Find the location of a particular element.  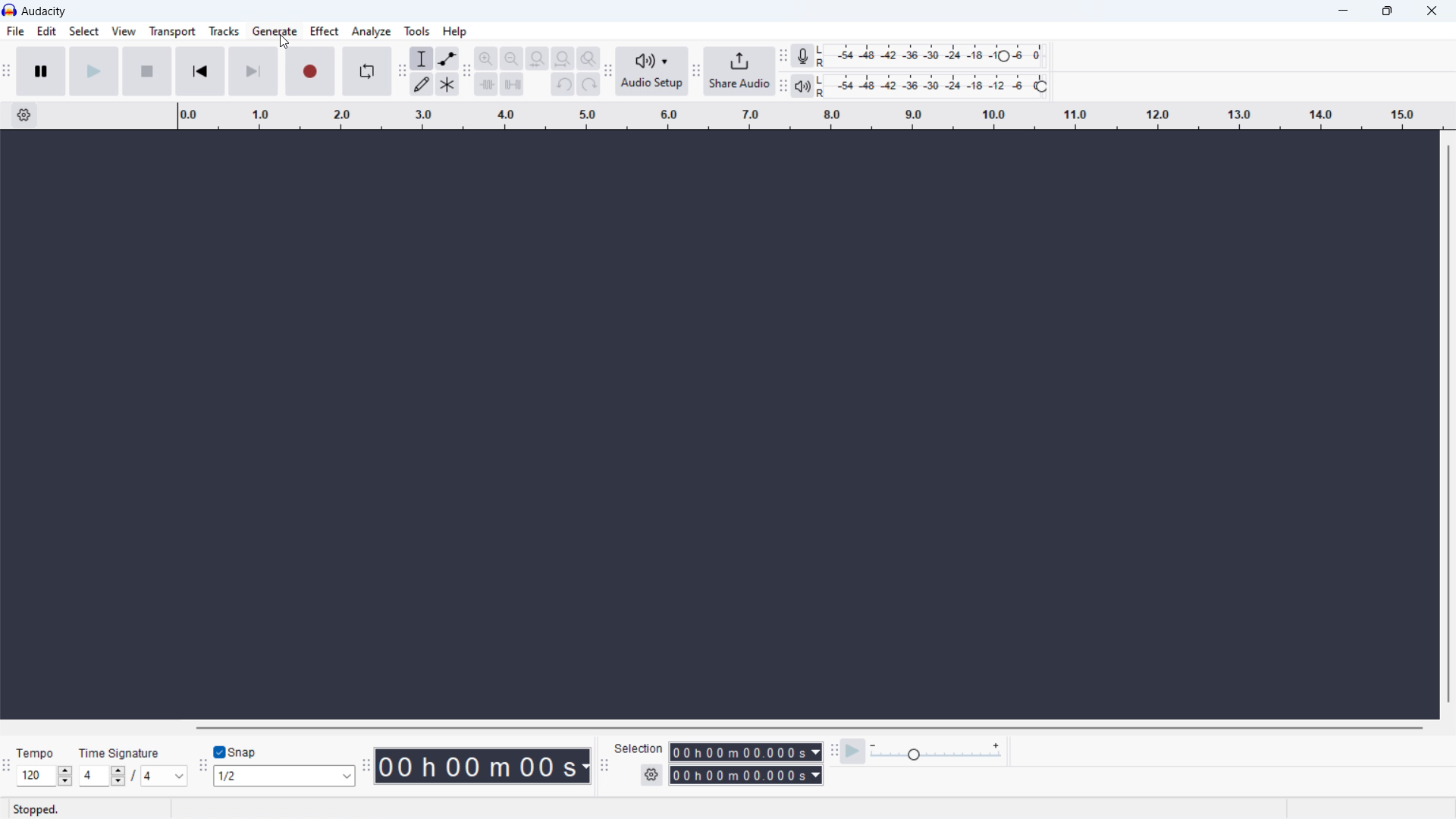

sgare audio toolbar is located at coordinates (696, 72).